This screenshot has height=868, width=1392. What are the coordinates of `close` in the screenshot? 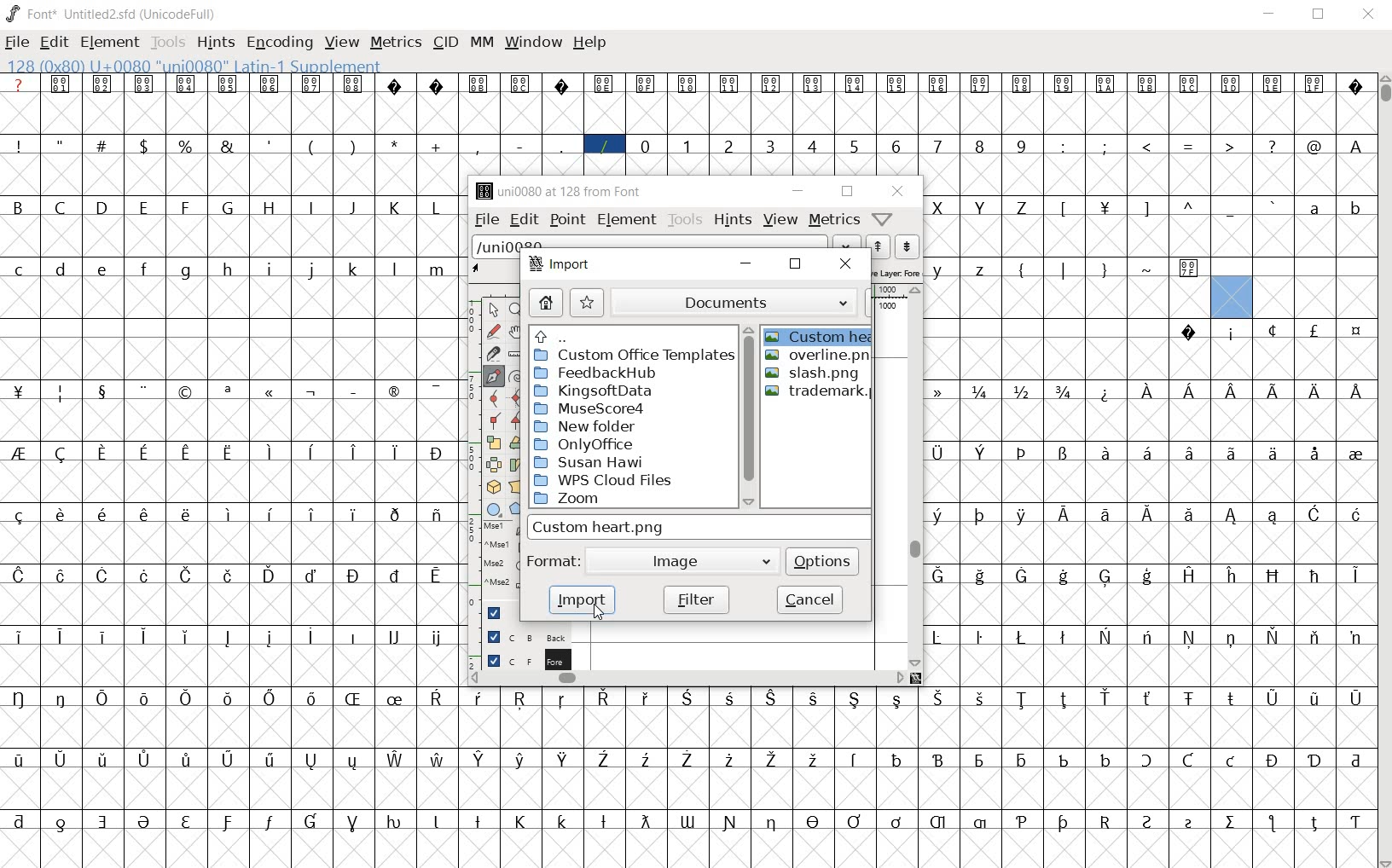 It's located at (898, 190).